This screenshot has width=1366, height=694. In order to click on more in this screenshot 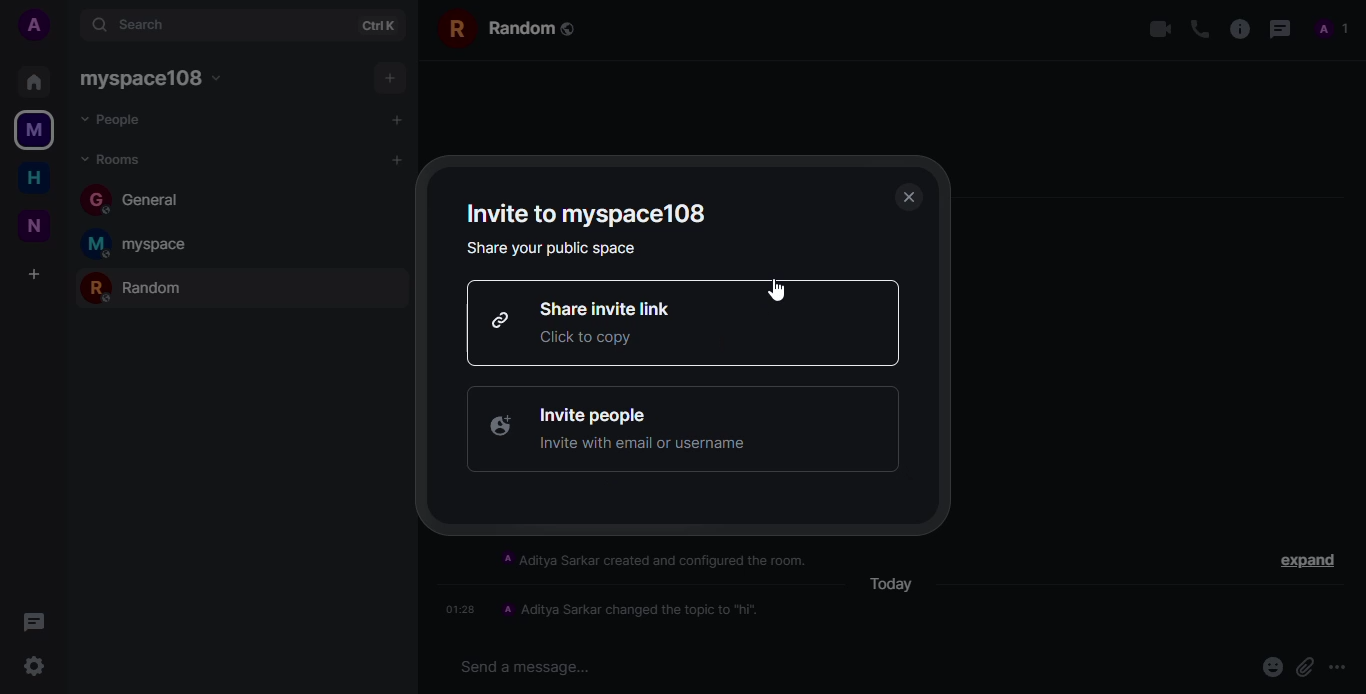, I will do `click(1342, 665)`.